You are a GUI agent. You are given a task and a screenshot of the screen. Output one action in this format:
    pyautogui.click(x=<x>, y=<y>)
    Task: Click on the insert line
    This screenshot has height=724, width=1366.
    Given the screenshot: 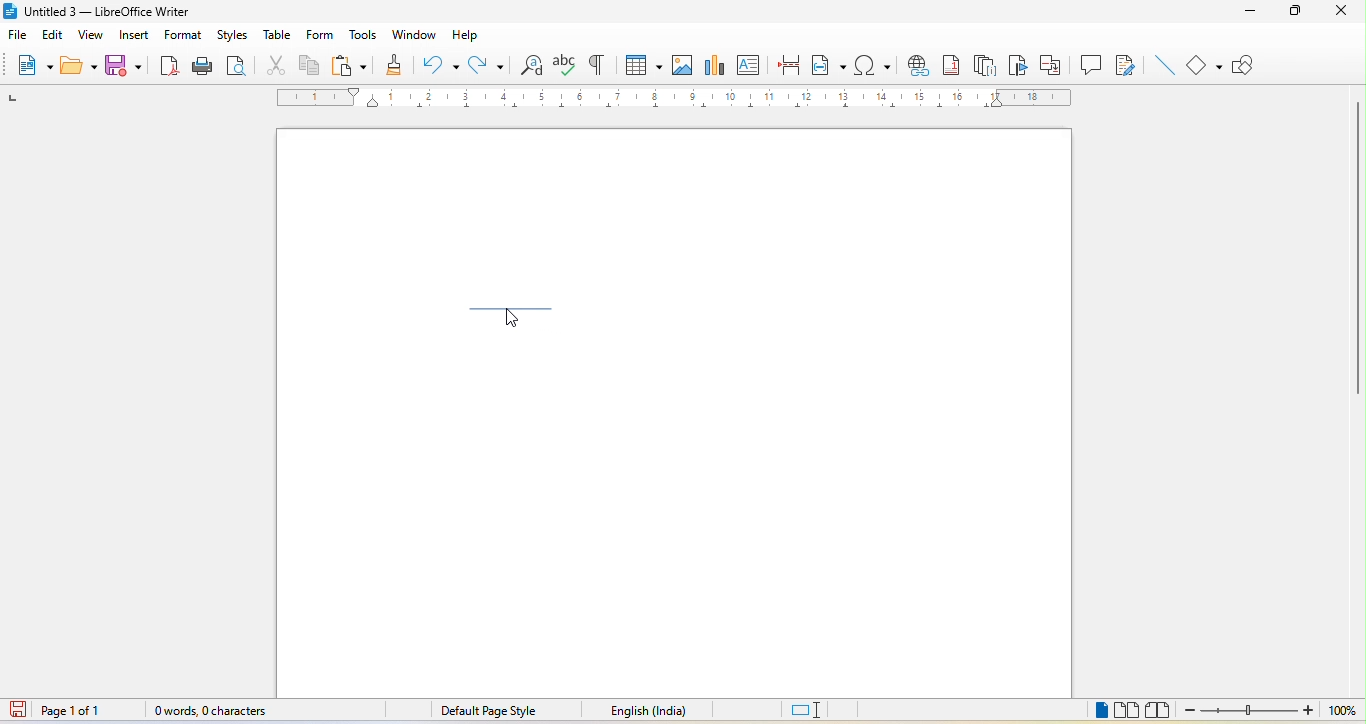 What is the action you would take?
    pyautogui.click(x=513, y=314)
    